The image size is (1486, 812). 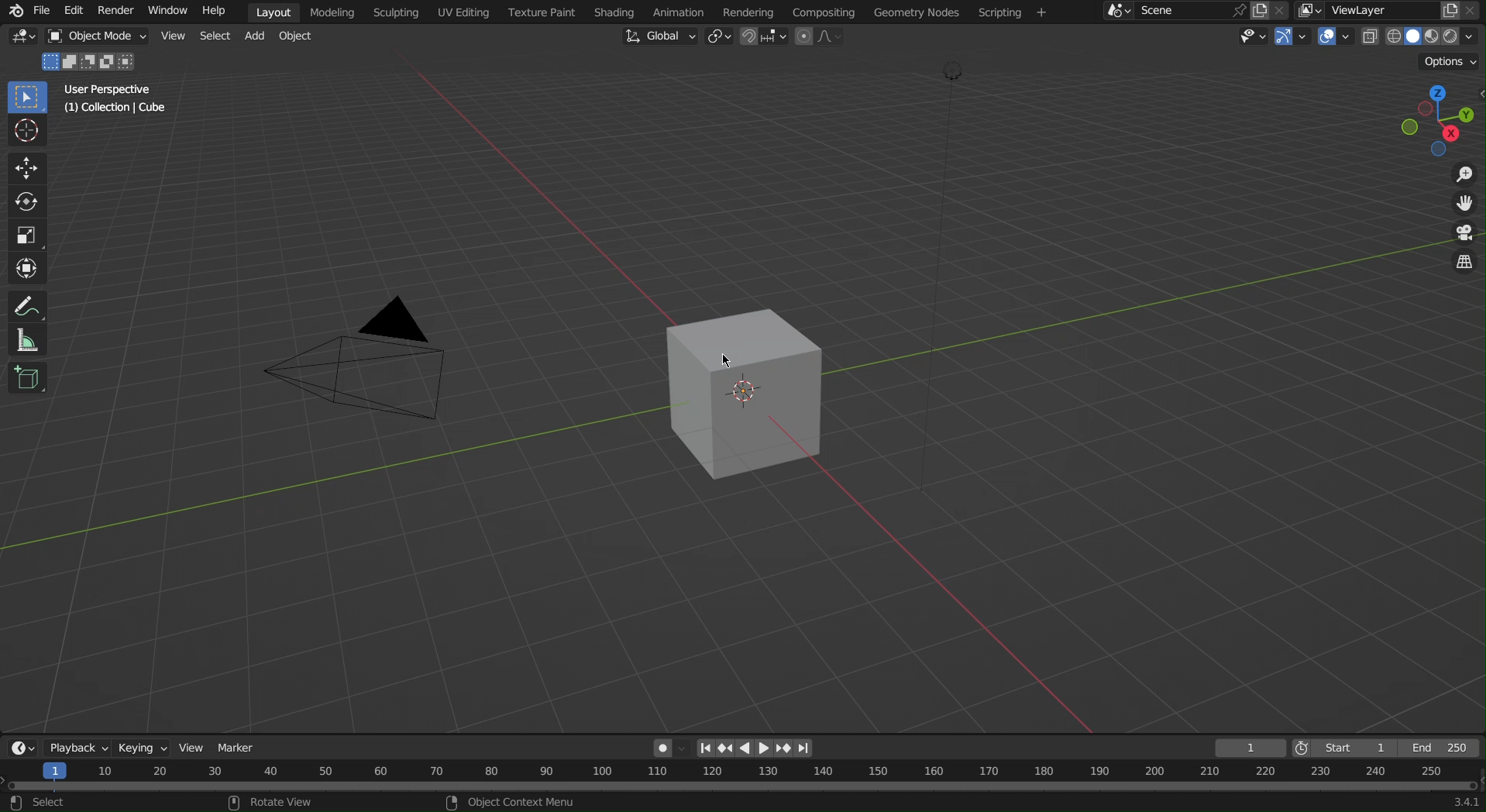 What do you see at coordinates (74, 10) in the screenshot?
I see `Edit` at bounding box center [74, 10].